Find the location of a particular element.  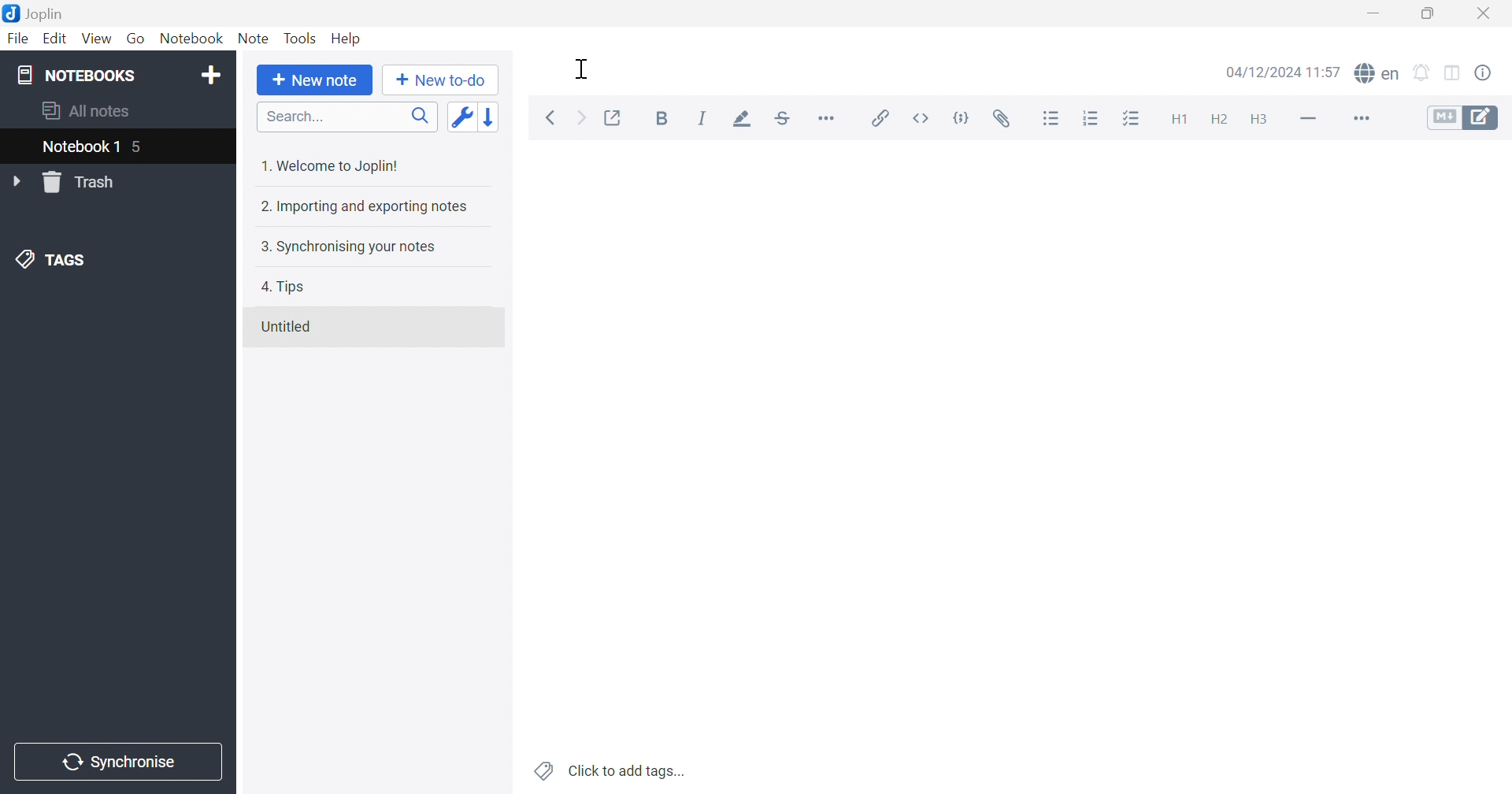

New to-do is located at coordinates (441, 80).